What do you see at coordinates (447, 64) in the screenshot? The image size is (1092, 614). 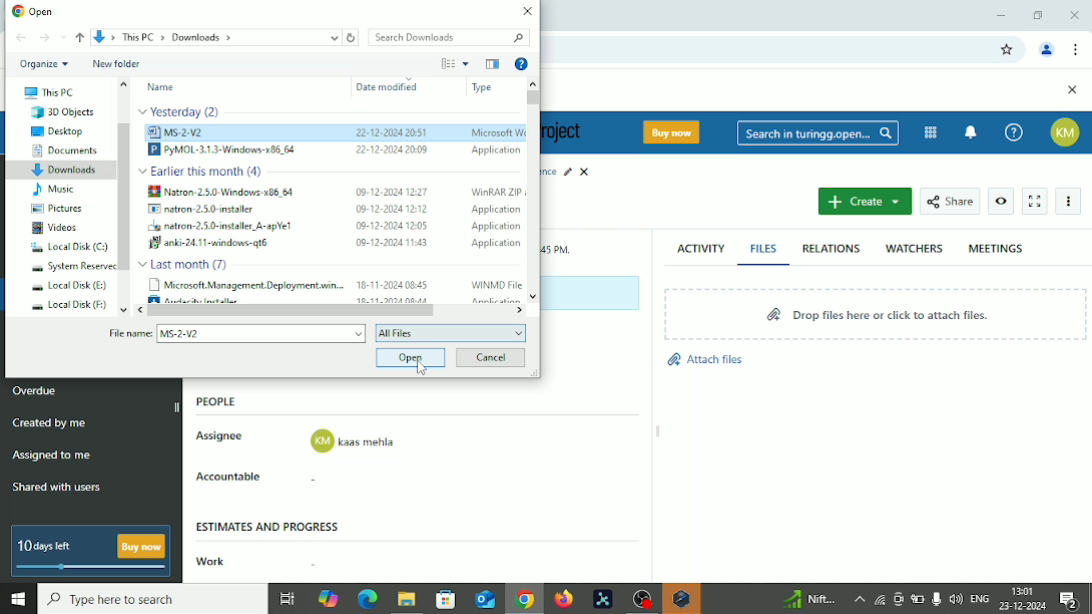 I see `Change your view` at bounding box center [447, 64].